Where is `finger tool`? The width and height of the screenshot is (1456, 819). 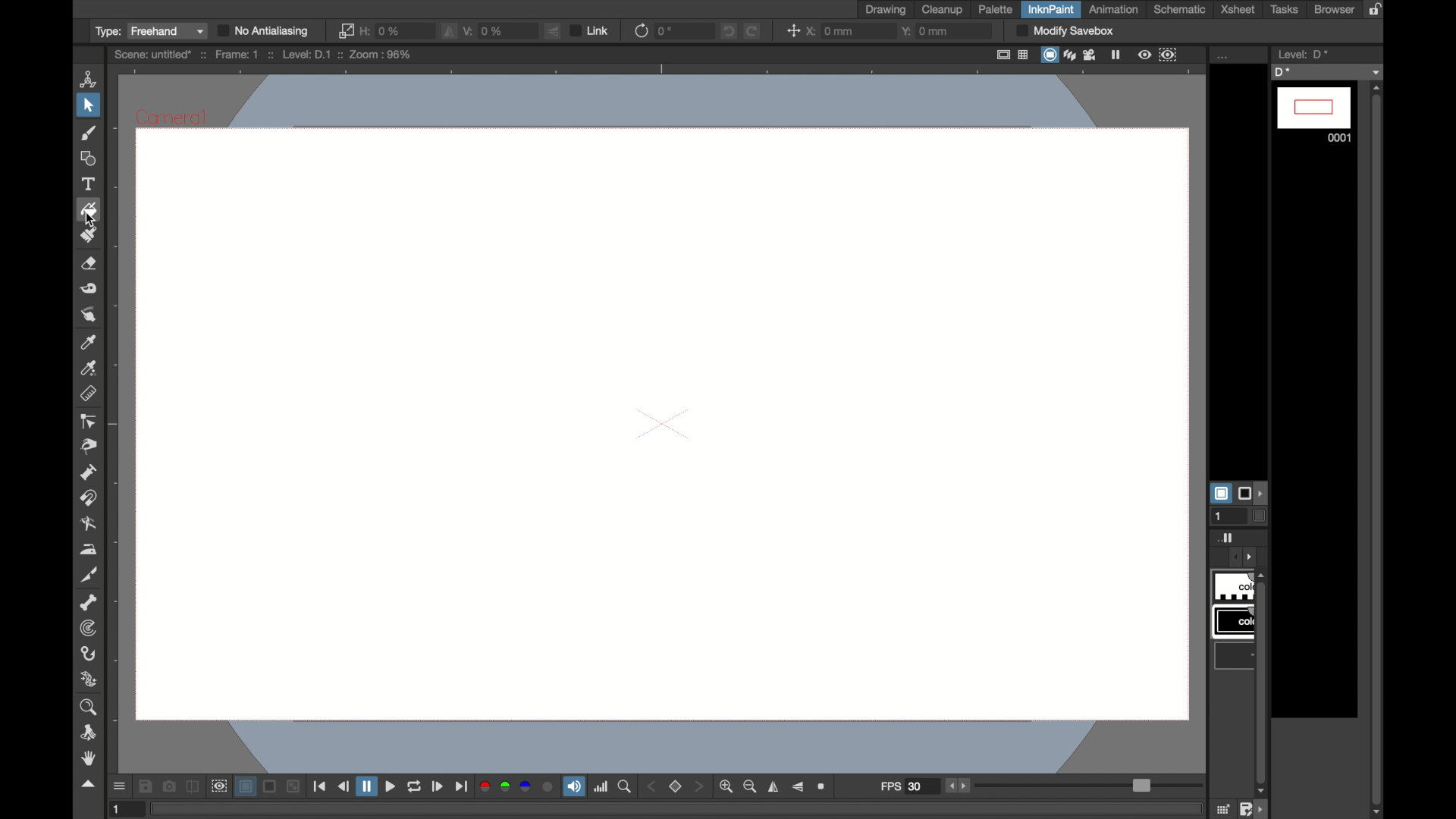 finger tool is located at coordinates (87, 314).